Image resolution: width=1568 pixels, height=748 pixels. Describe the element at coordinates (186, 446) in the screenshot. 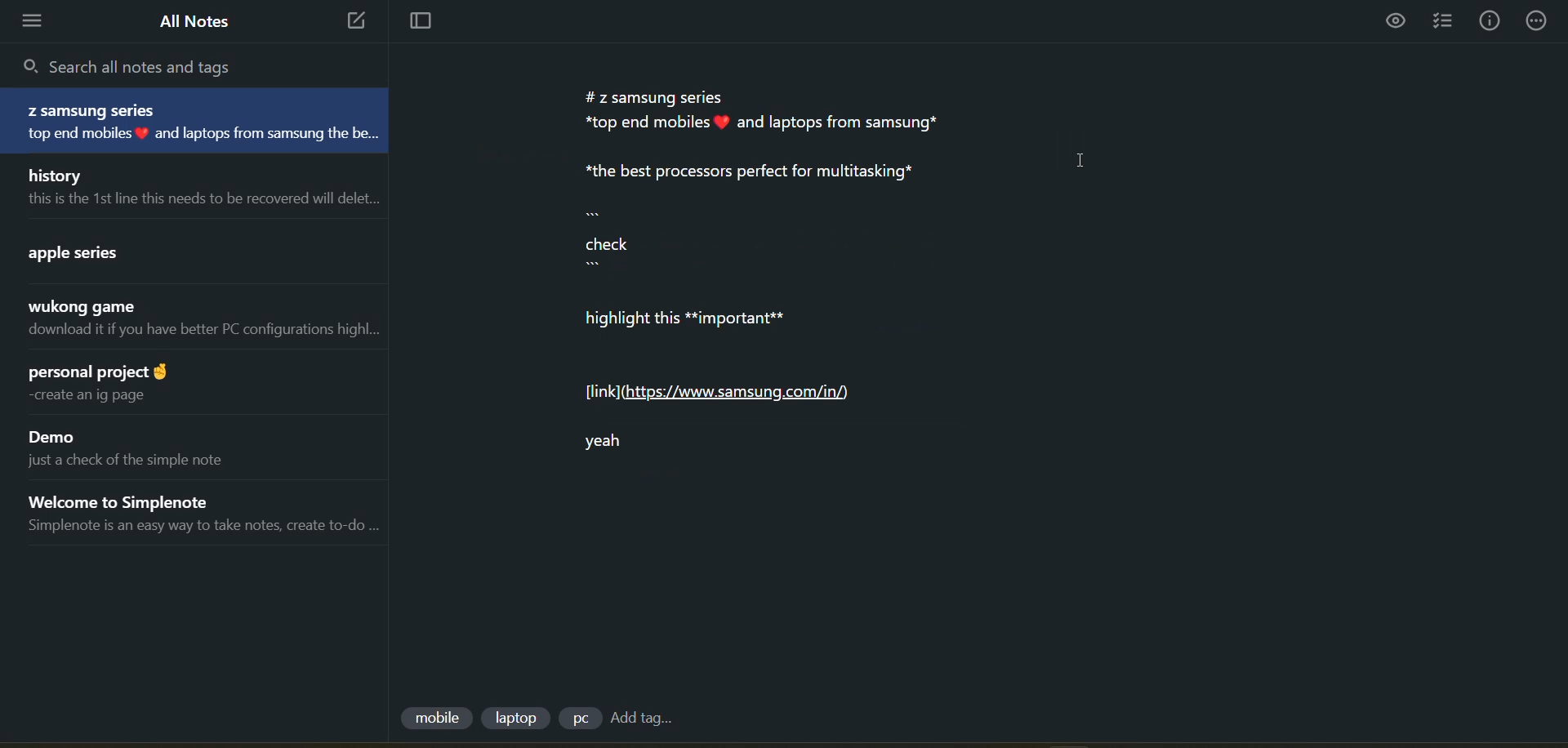

I see `note title and preview` at that location.